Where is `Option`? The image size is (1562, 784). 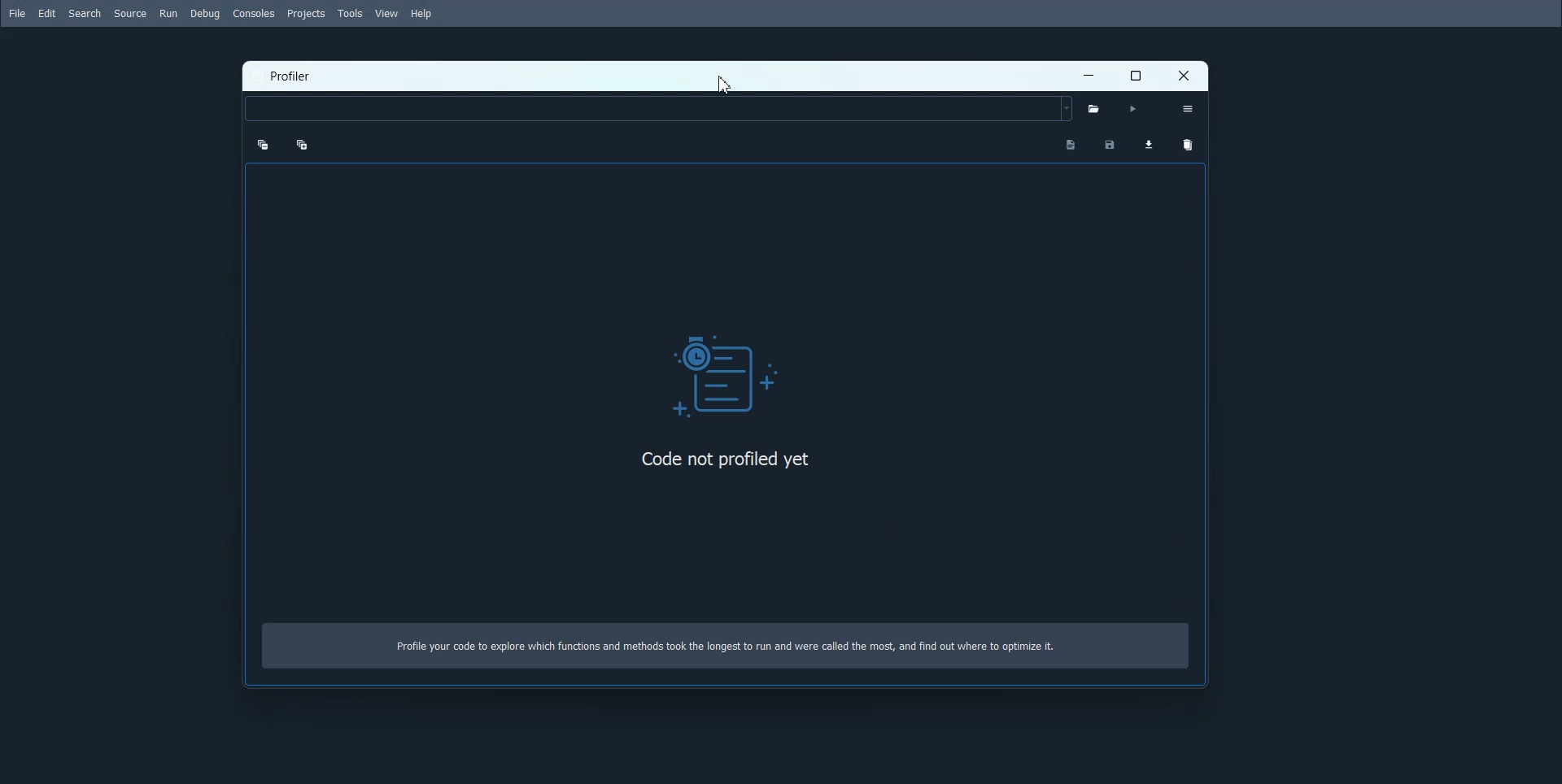
Option is located at coordinates (1188, 109).